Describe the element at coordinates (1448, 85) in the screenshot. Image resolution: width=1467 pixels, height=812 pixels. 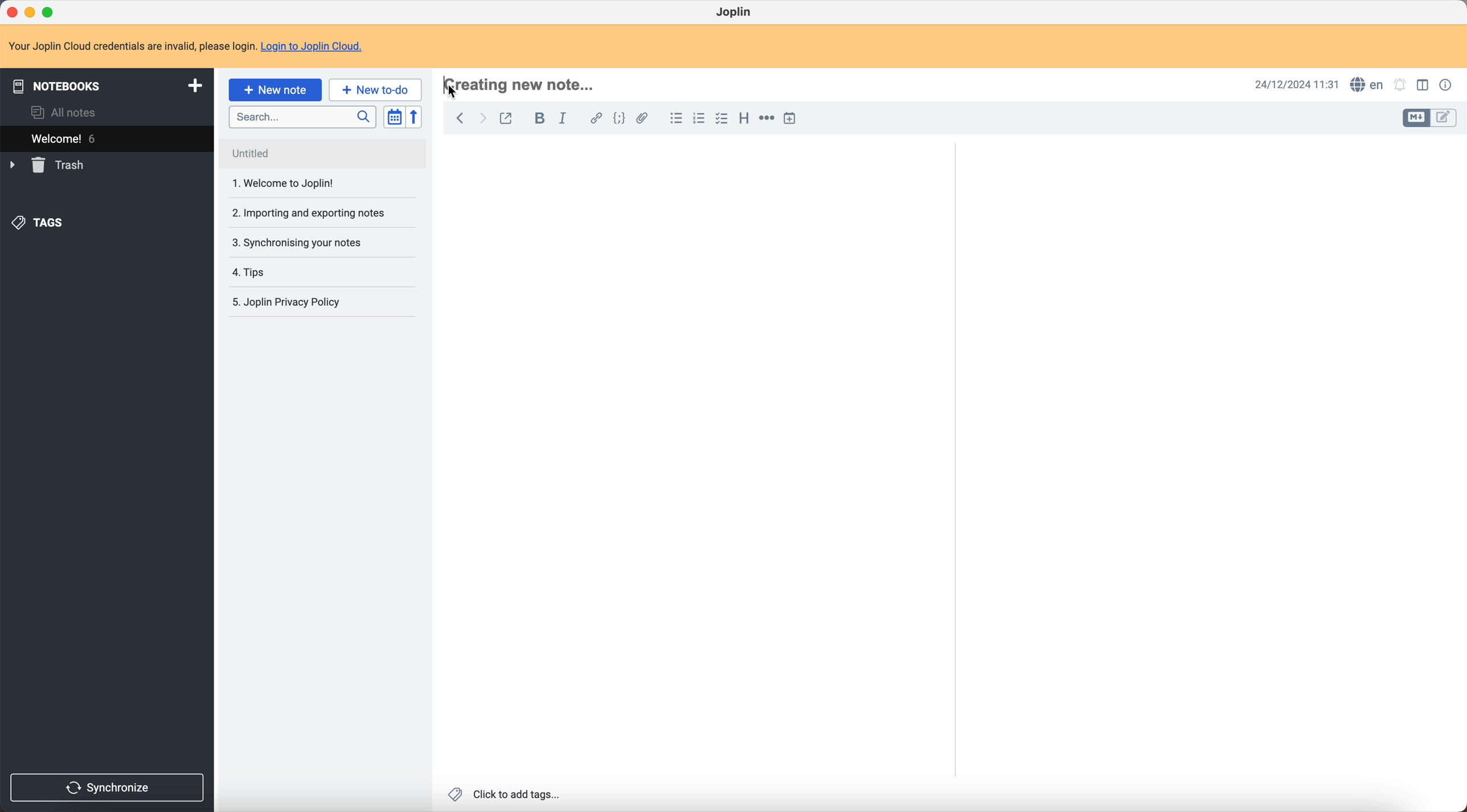
I see `note properties` at that location.